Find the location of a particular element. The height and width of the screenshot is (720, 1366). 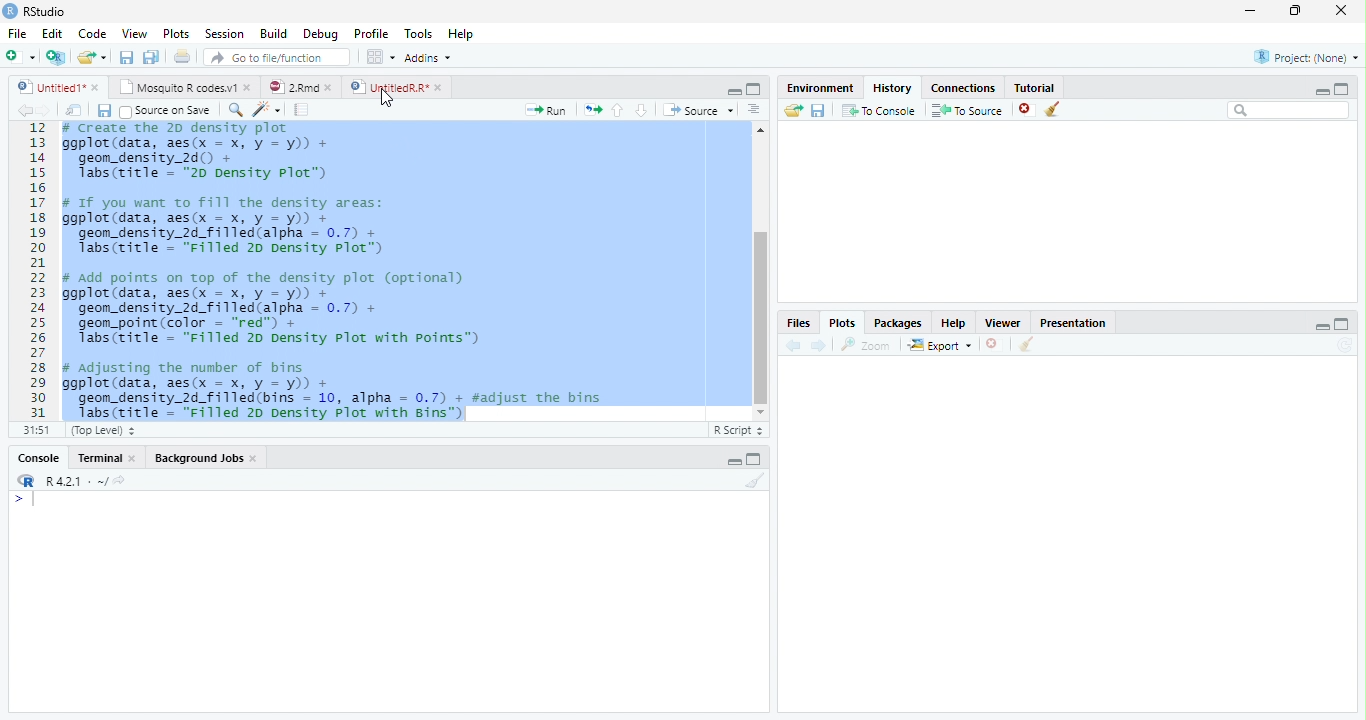

Console is located at coordinates (38, 459).